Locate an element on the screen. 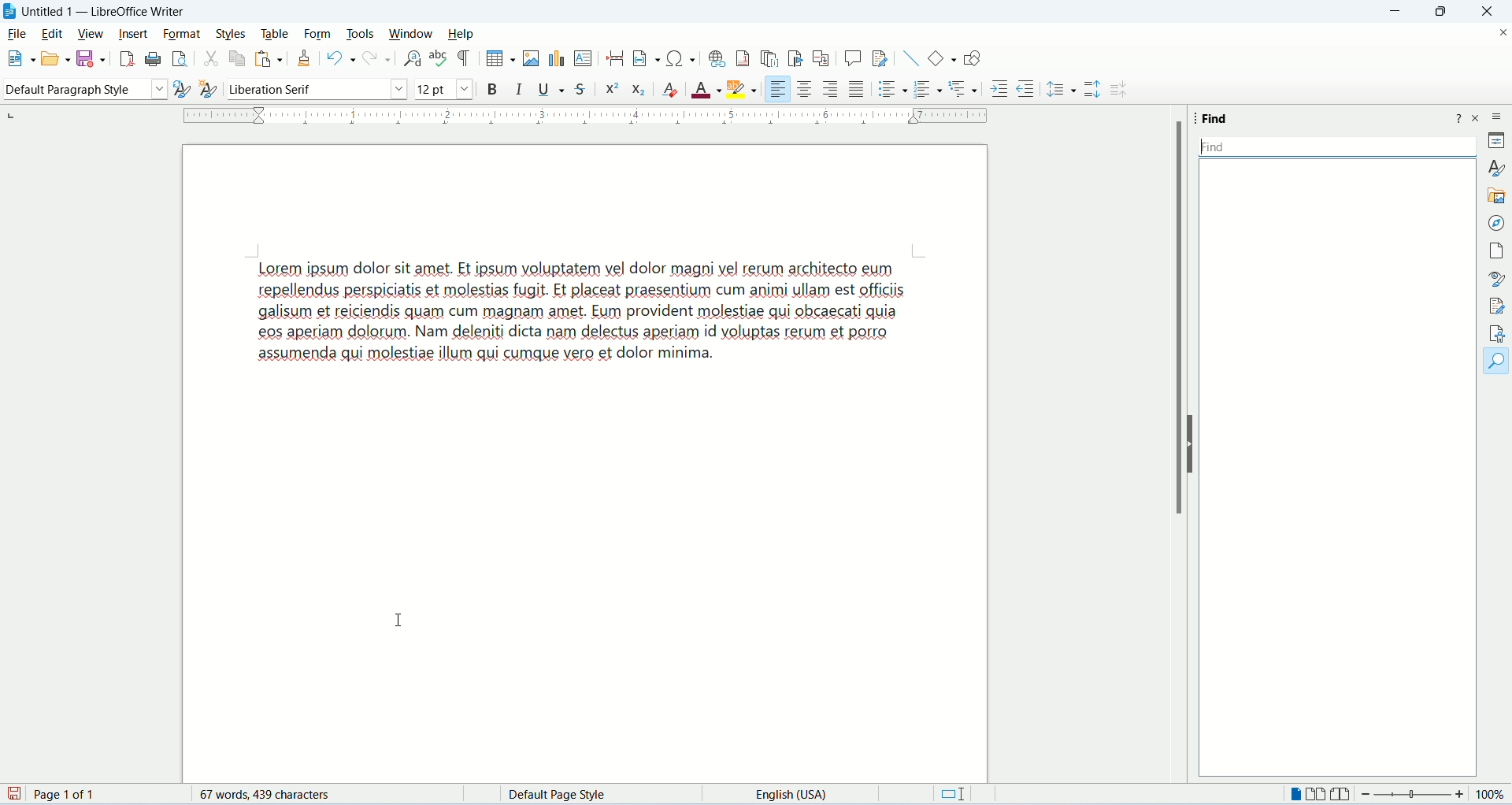 This screenshot has width=1512, height=805. insert is located at coordinates (134, 34).